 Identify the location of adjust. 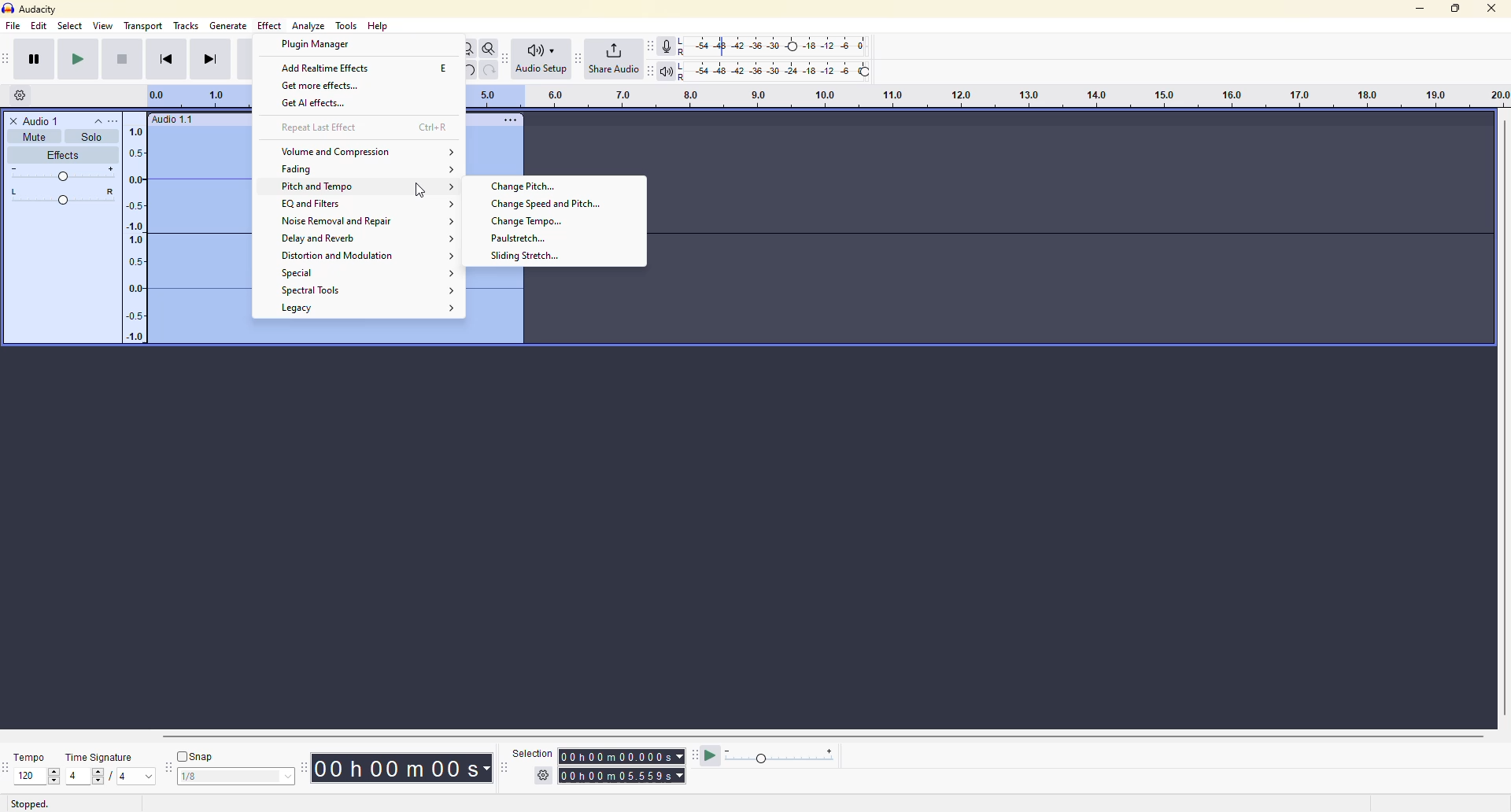
(65, 197).